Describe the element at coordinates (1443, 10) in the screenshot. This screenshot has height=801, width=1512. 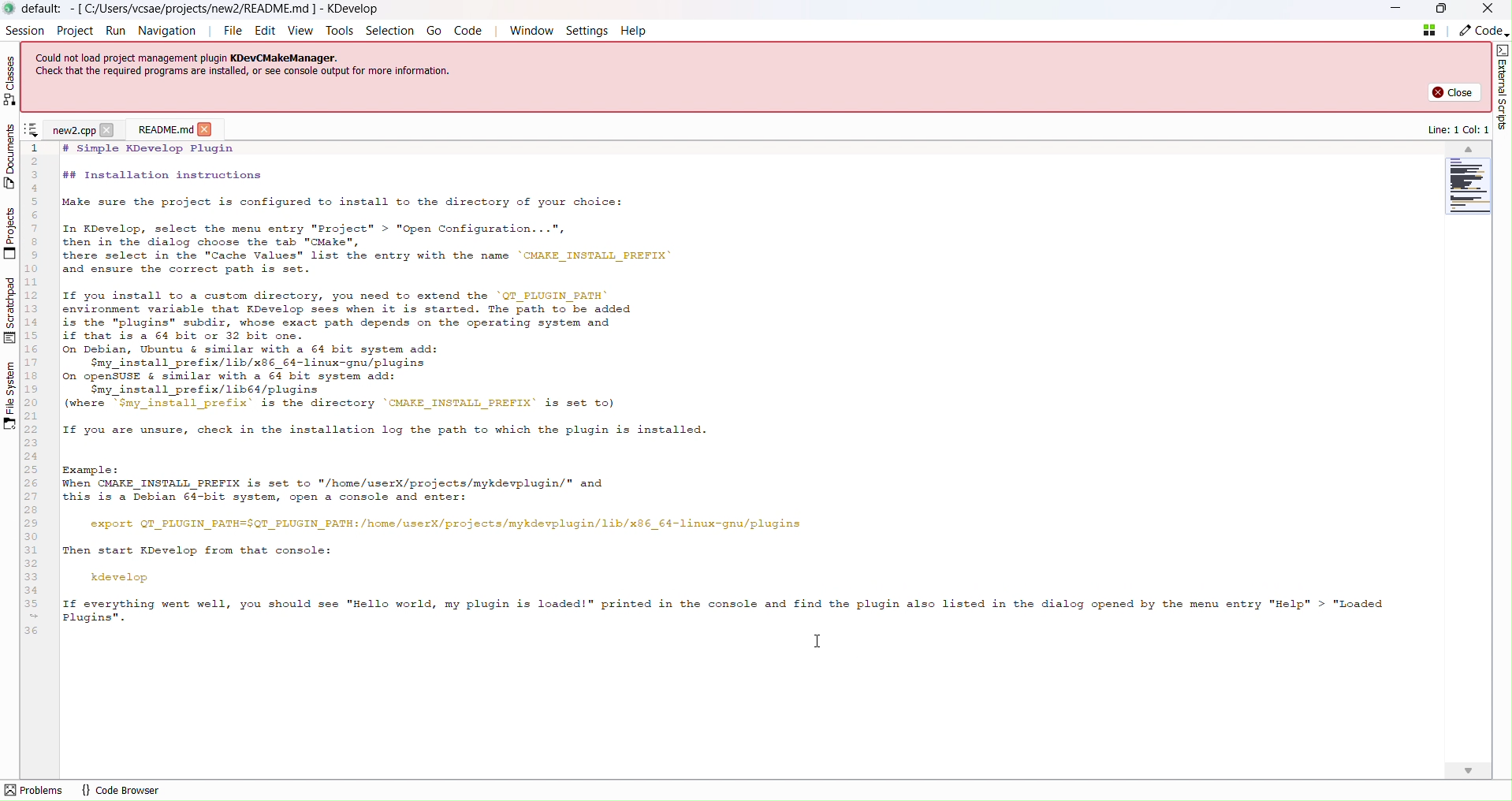
I see `Box` at that location.